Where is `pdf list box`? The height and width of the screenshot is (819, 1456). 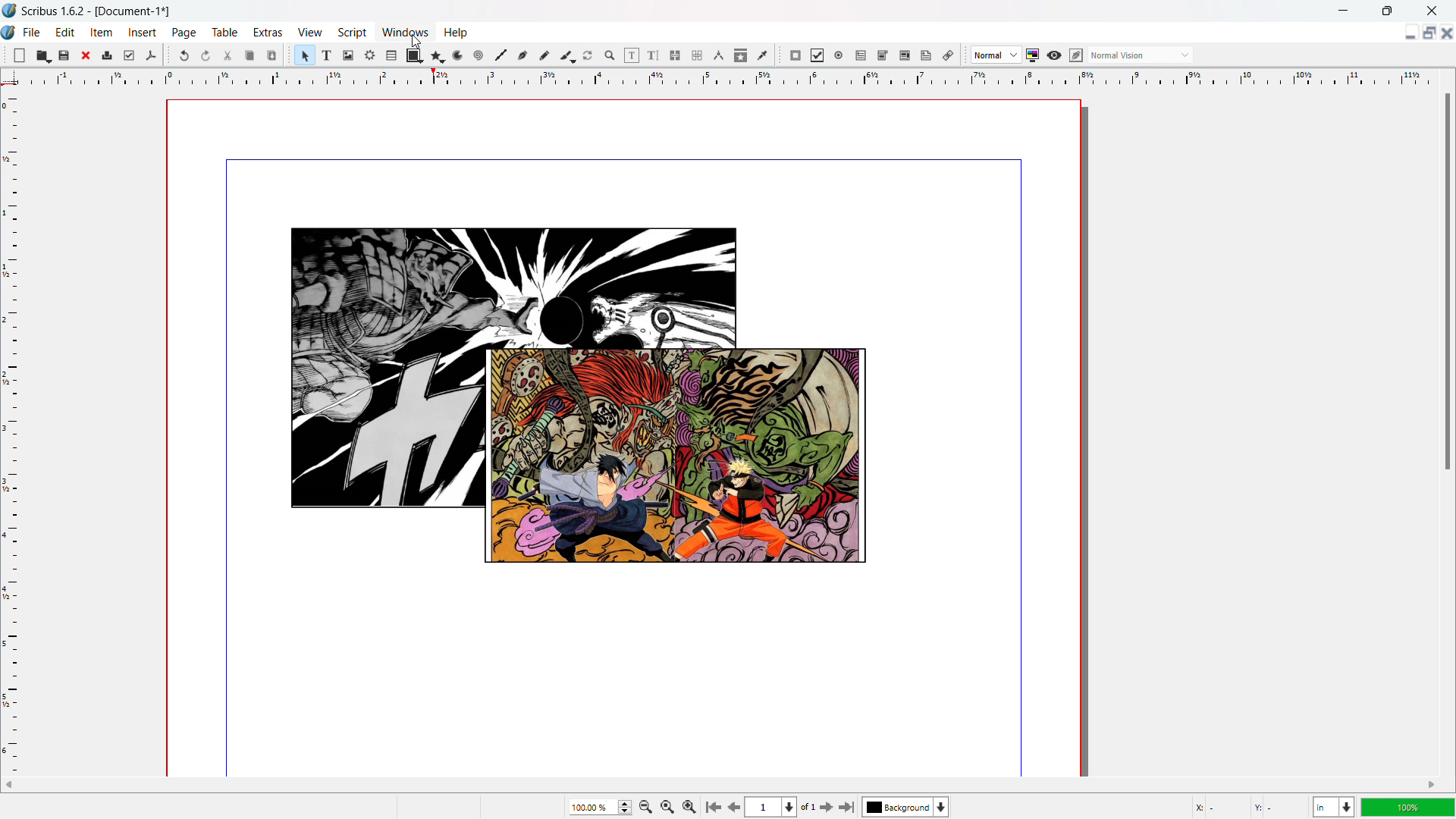
pdf list box is located at coordinates (905, 55).